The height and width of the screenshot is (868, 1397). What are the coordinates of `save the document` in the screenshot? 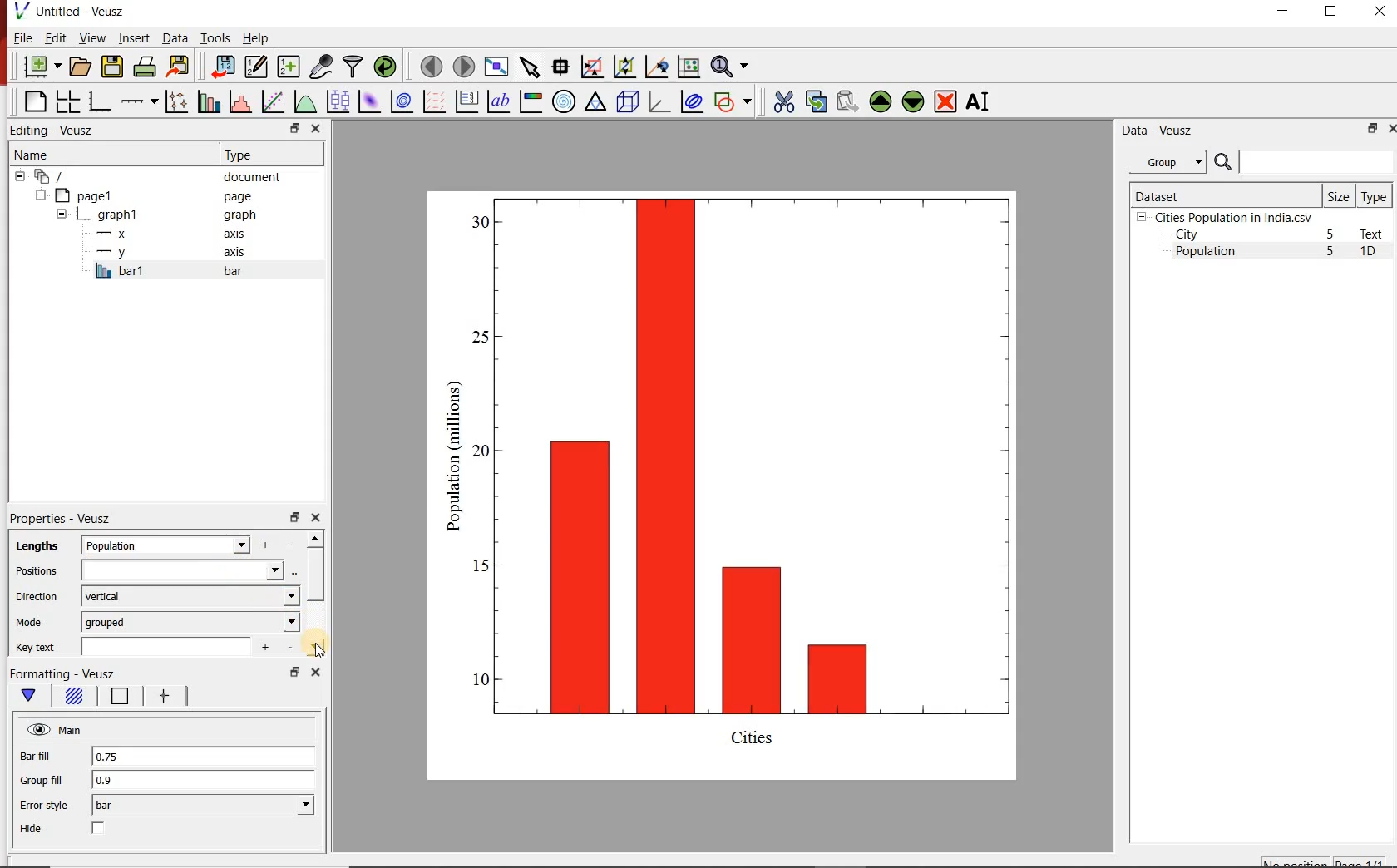 It's located at (112, 65).